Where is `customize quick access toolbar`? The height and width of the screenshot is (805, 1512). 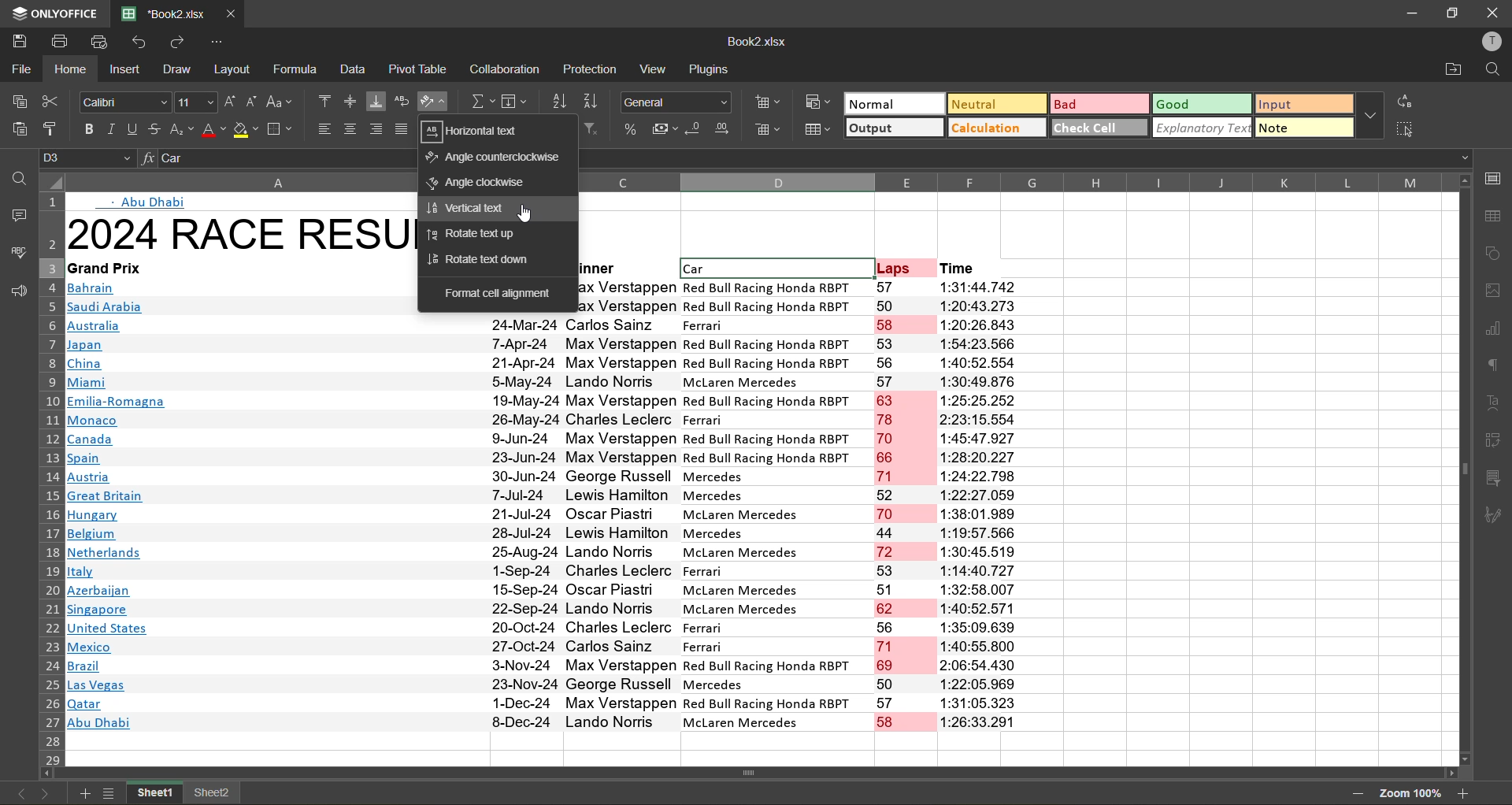
customize quick access toolbar is located at coordinates (217, 42).